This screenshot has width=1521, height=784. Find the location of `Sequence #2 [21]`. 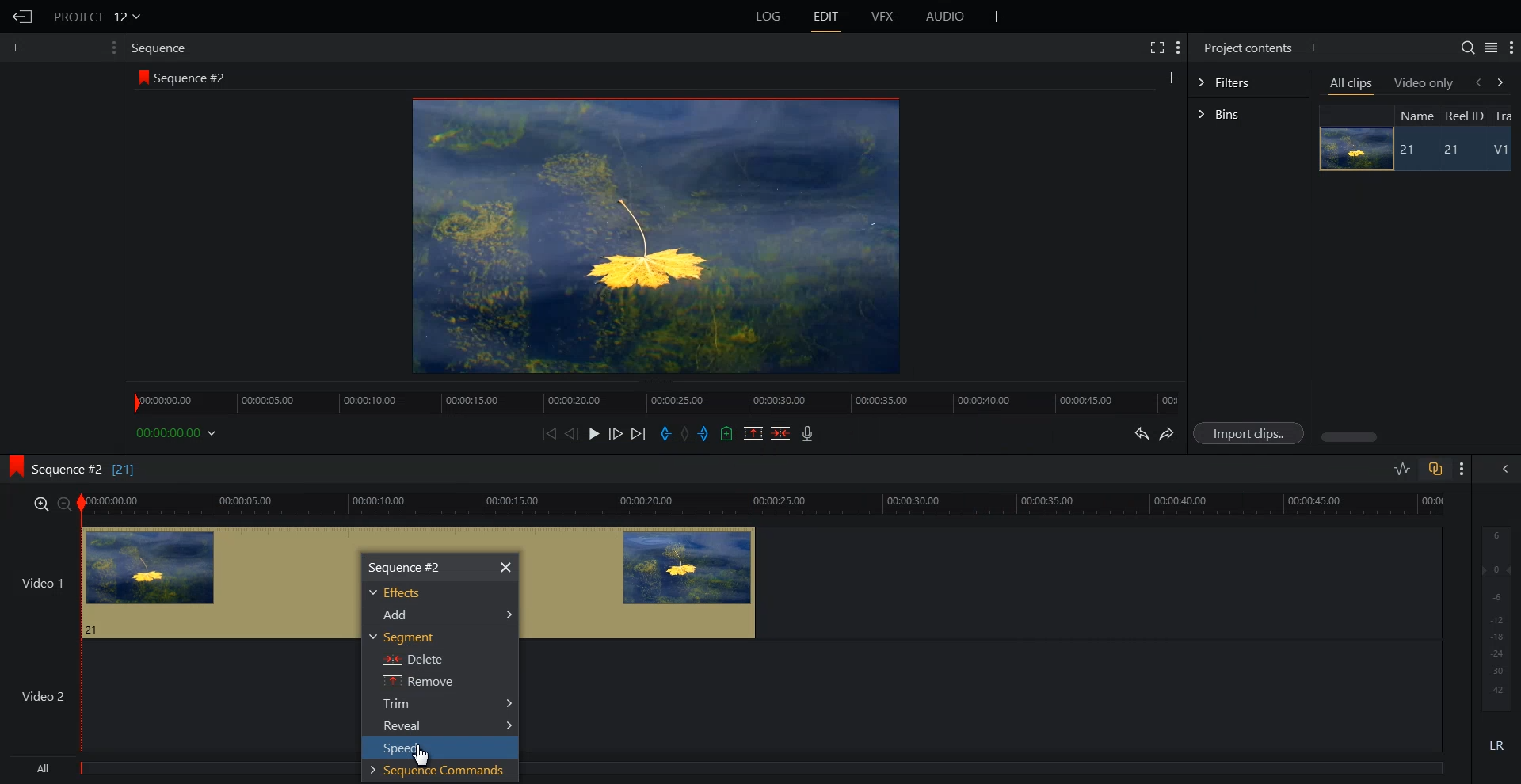

Sequence #2 [21] is located at coordinates (85, 470).